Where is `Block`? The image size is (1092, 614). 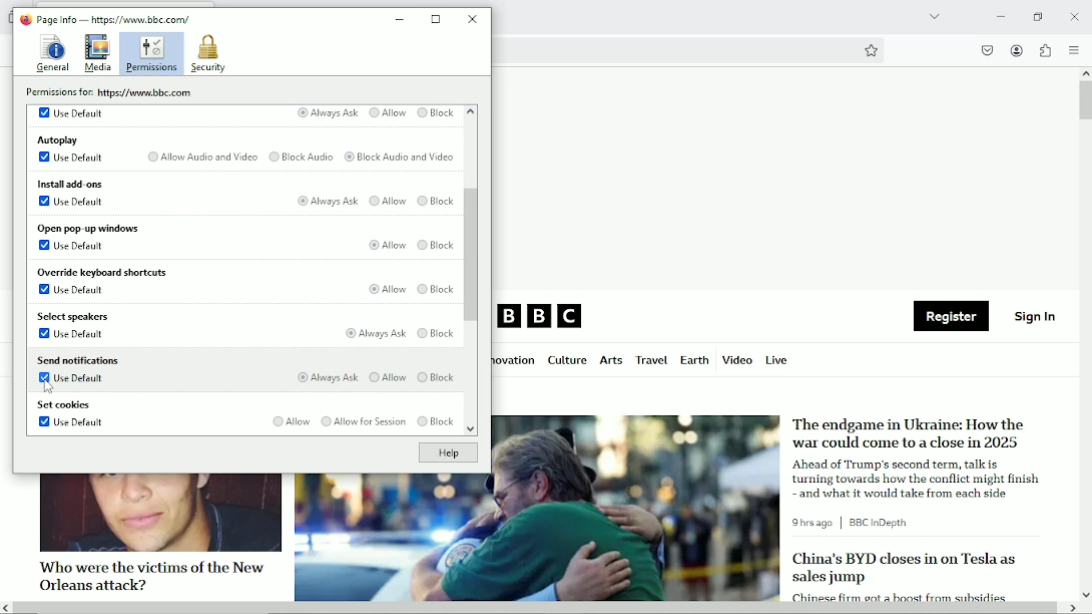 Block is located at coordinates (435, 422).